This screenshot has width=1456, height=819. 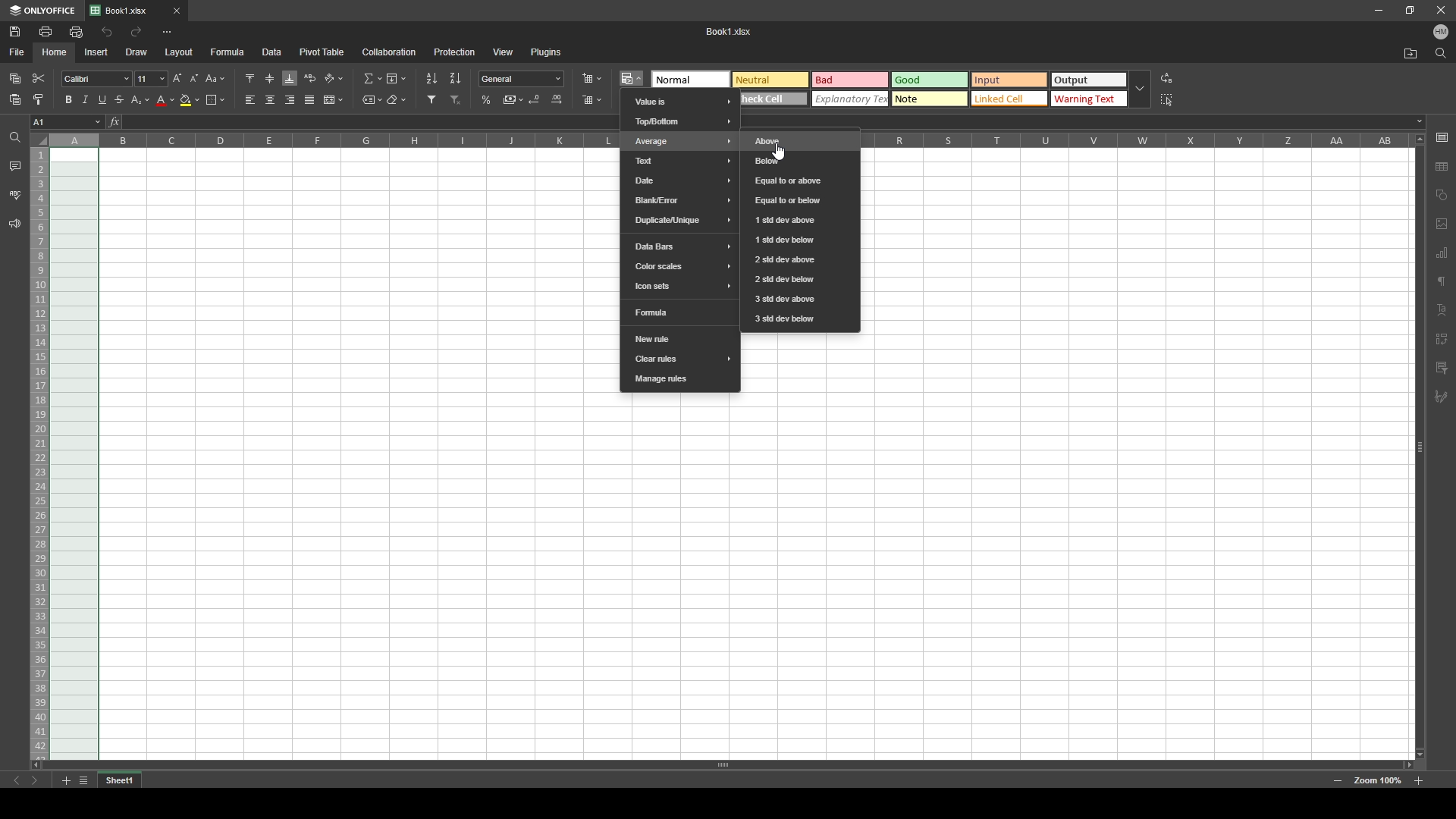 I want to click on undo, so click(x=107, y=33).